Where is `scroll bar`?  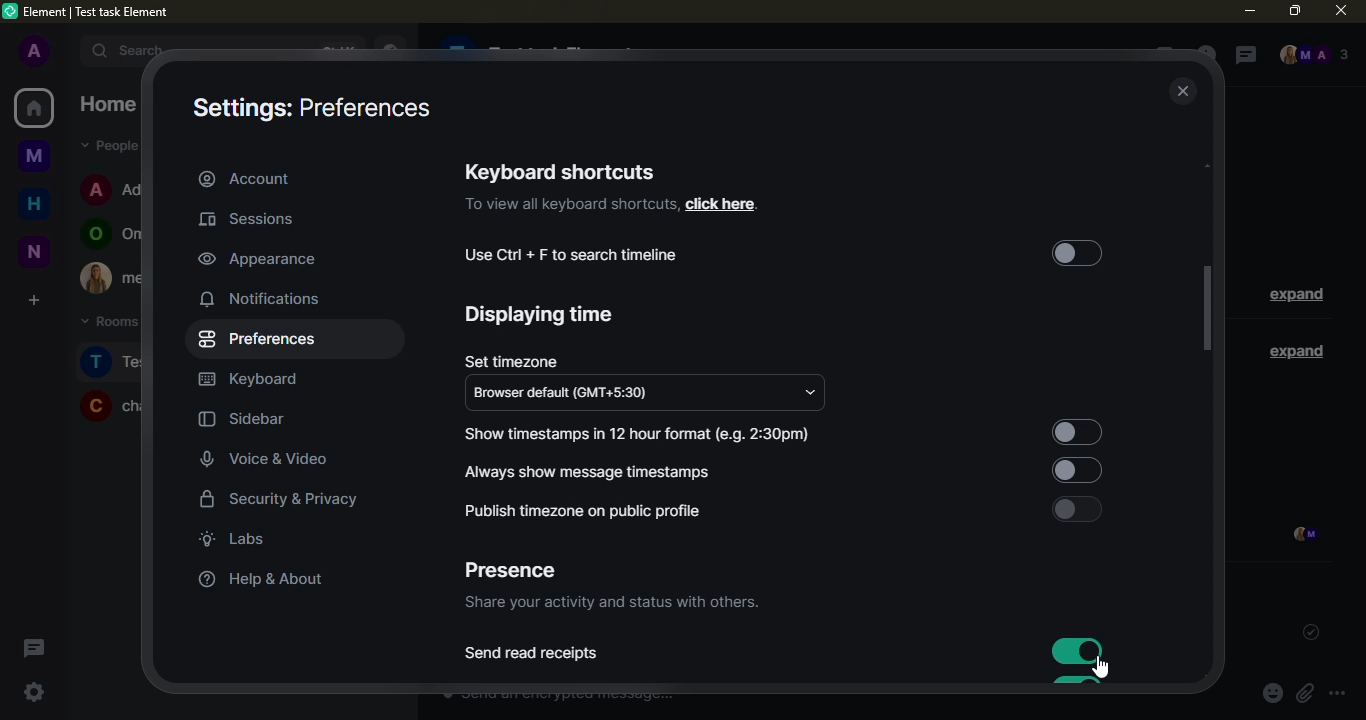
scroll bar is located at coordinates (1208, 309).